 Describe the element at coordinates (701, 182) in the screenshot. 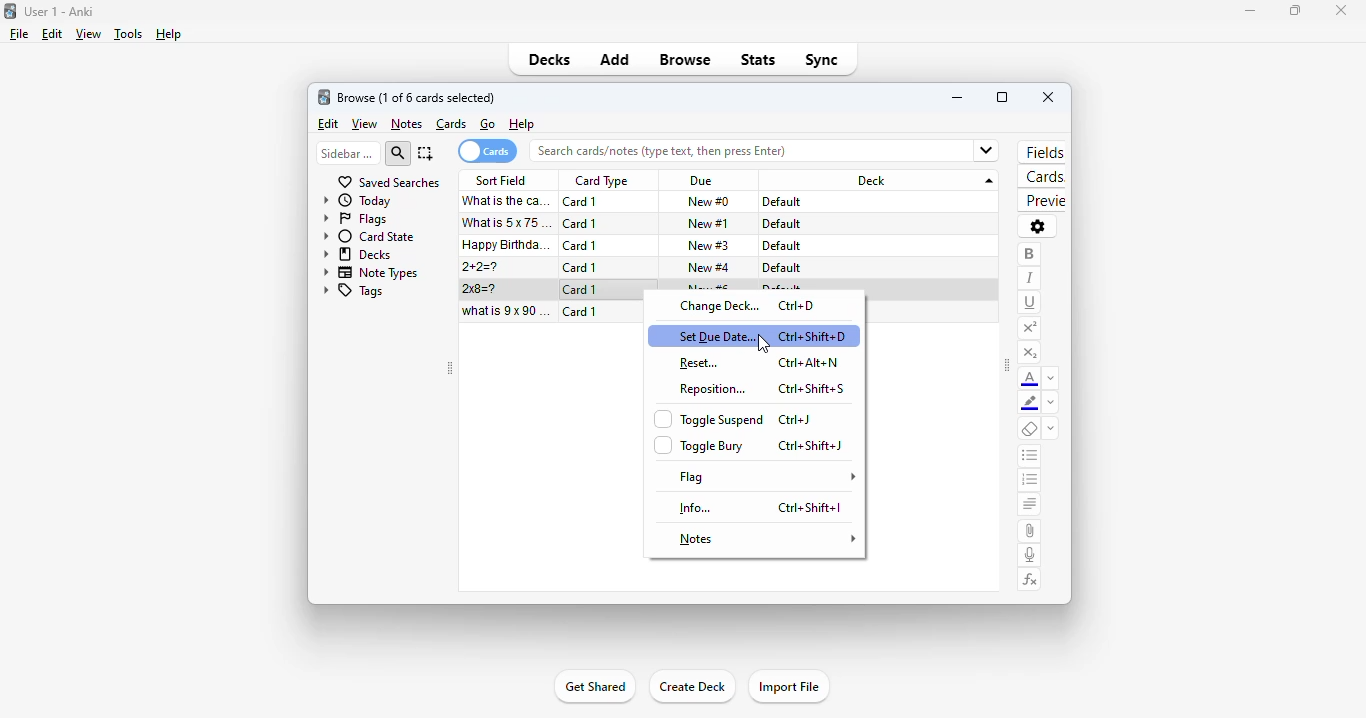

I see `due` at that location.